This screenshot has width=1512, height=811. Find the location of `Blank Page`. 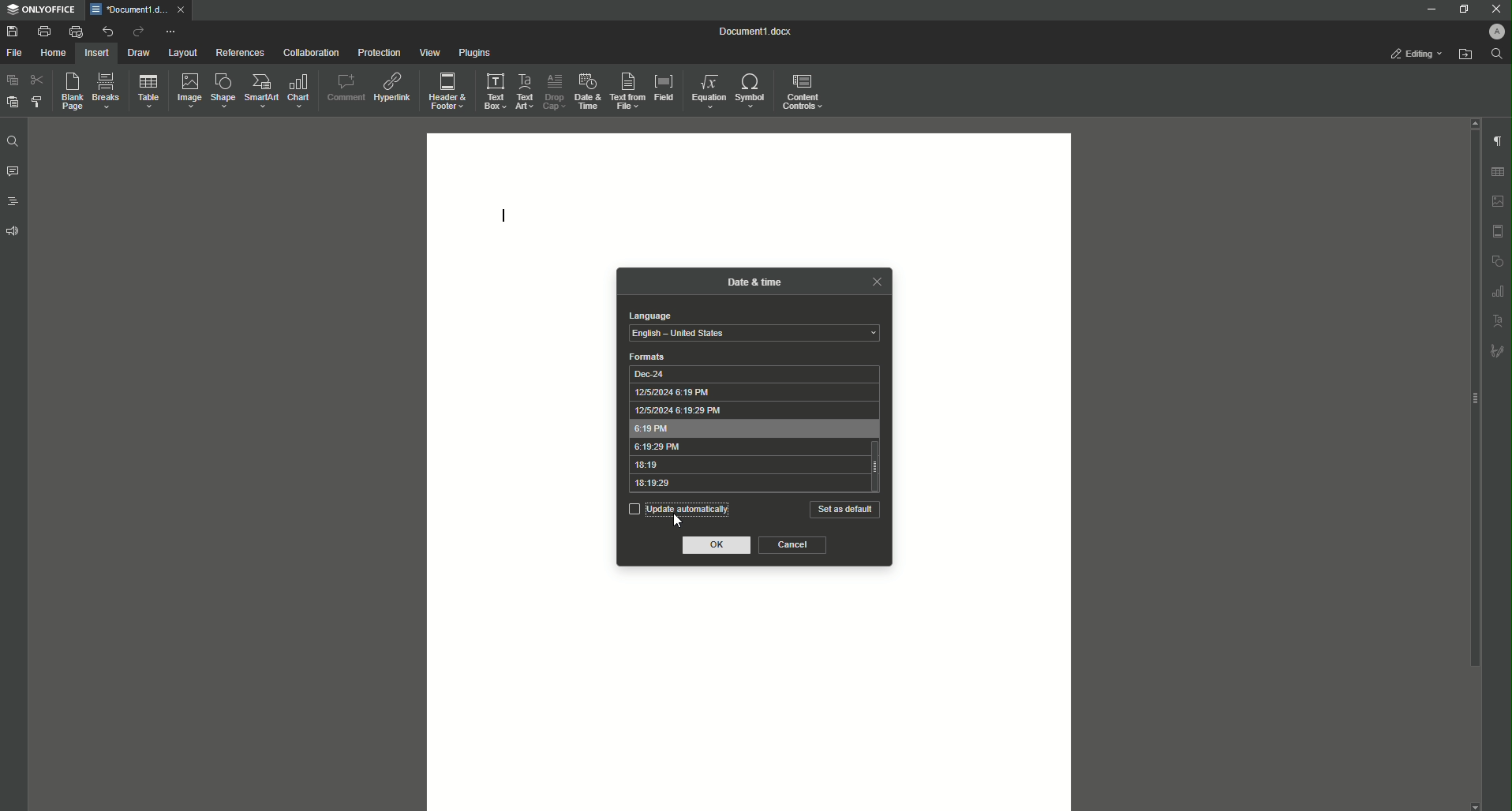

Blank Page is located at coordinates (68, 92).